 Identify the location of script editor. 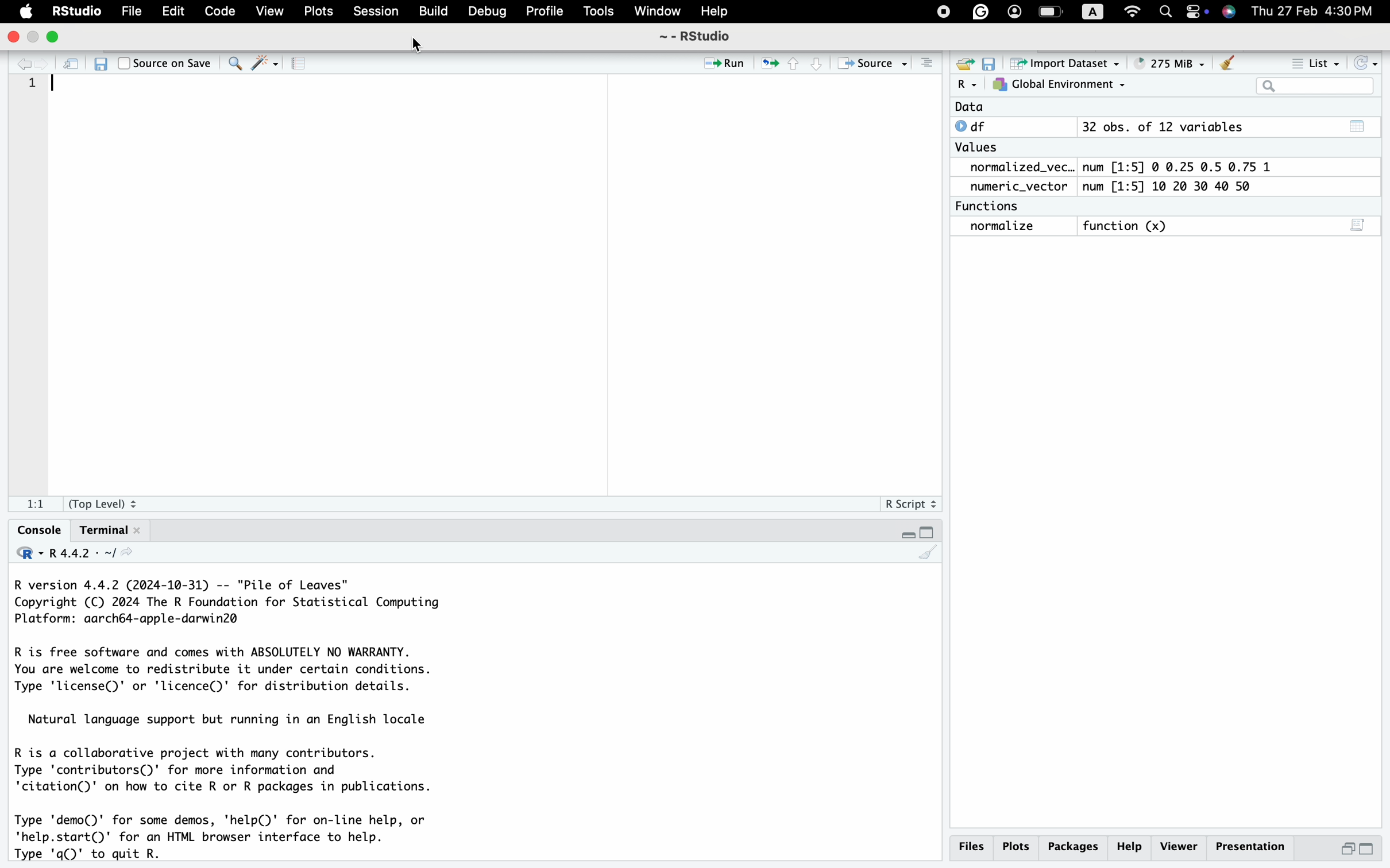
(1359, 223).